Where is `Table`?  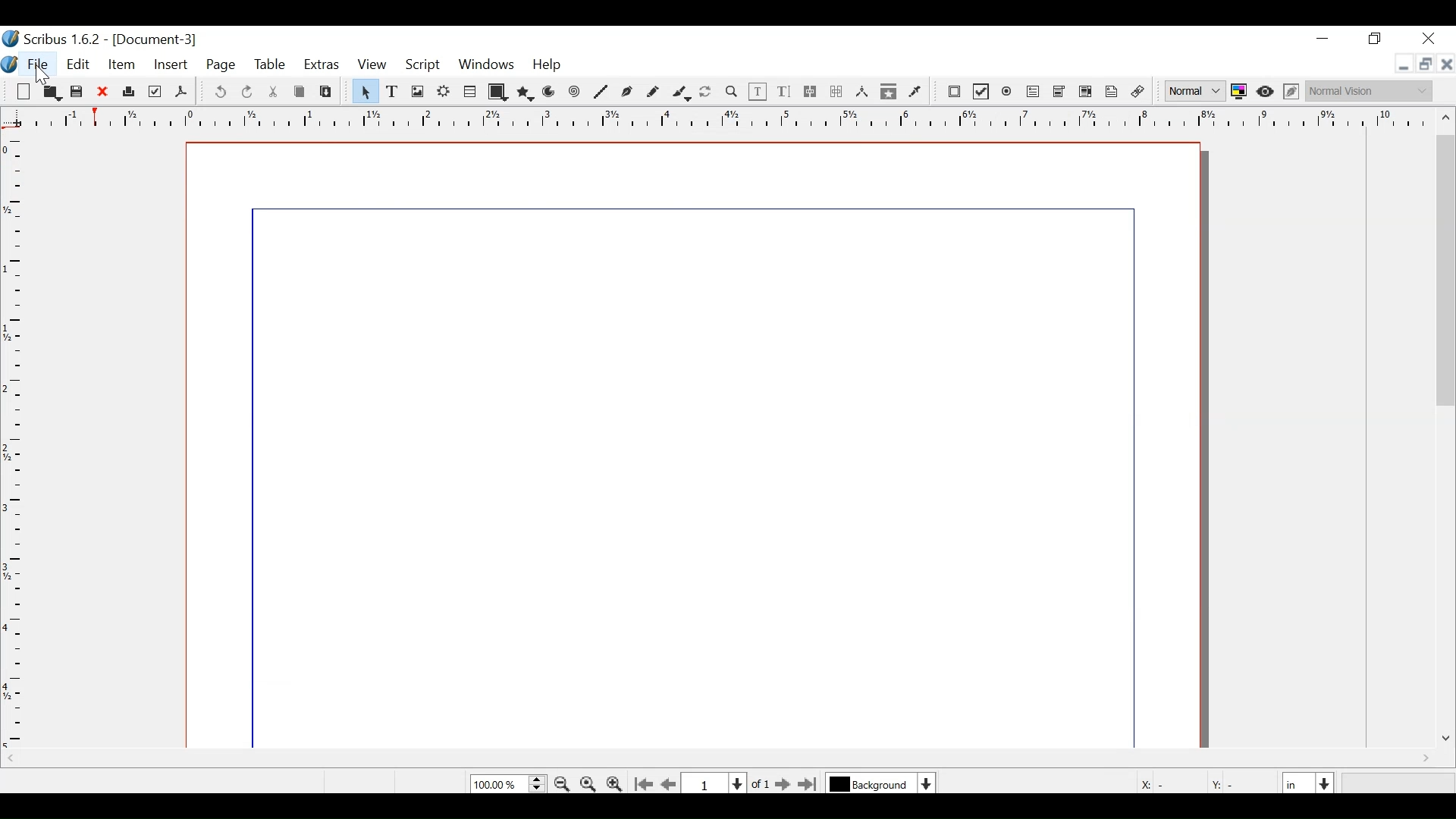 Table is located at coordinates (471, 91).